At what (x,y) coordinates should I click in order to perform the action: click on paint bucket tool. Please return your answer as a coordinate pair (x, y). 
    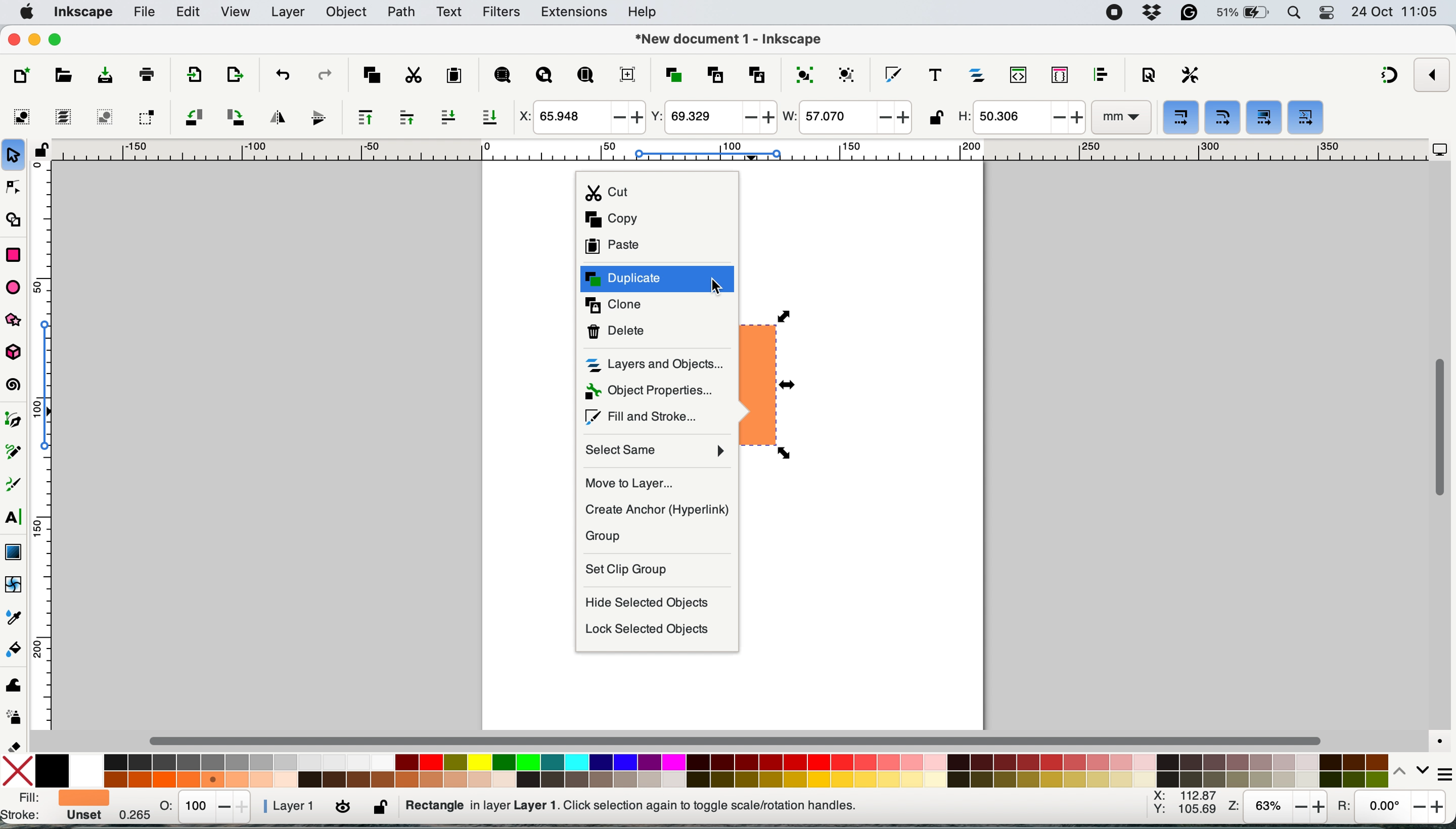
    Looking at the image, I should click on (16, 651).